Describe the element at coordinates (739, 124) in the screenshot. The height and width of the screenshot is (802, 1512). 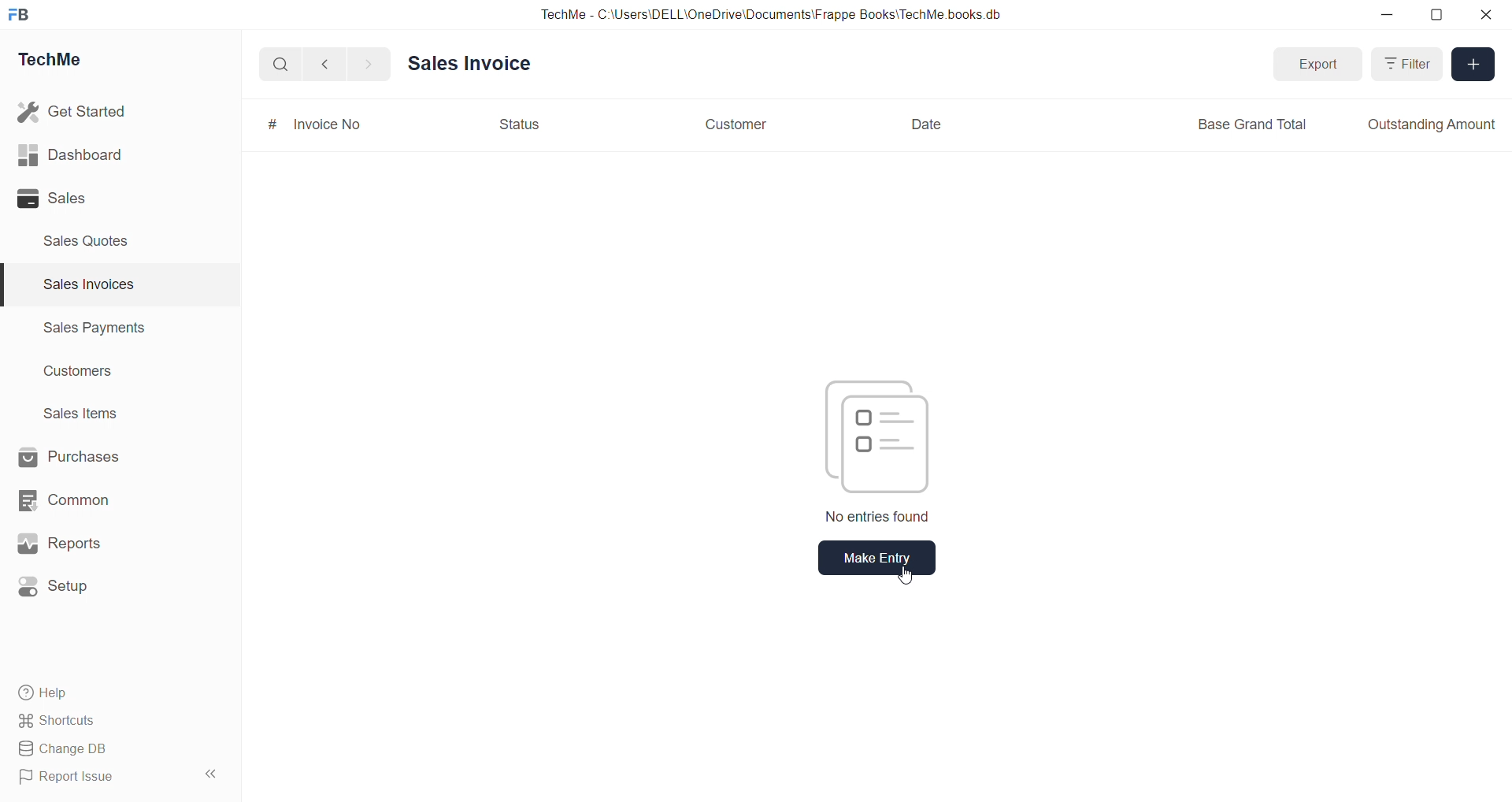
I see `Customer` at that location.